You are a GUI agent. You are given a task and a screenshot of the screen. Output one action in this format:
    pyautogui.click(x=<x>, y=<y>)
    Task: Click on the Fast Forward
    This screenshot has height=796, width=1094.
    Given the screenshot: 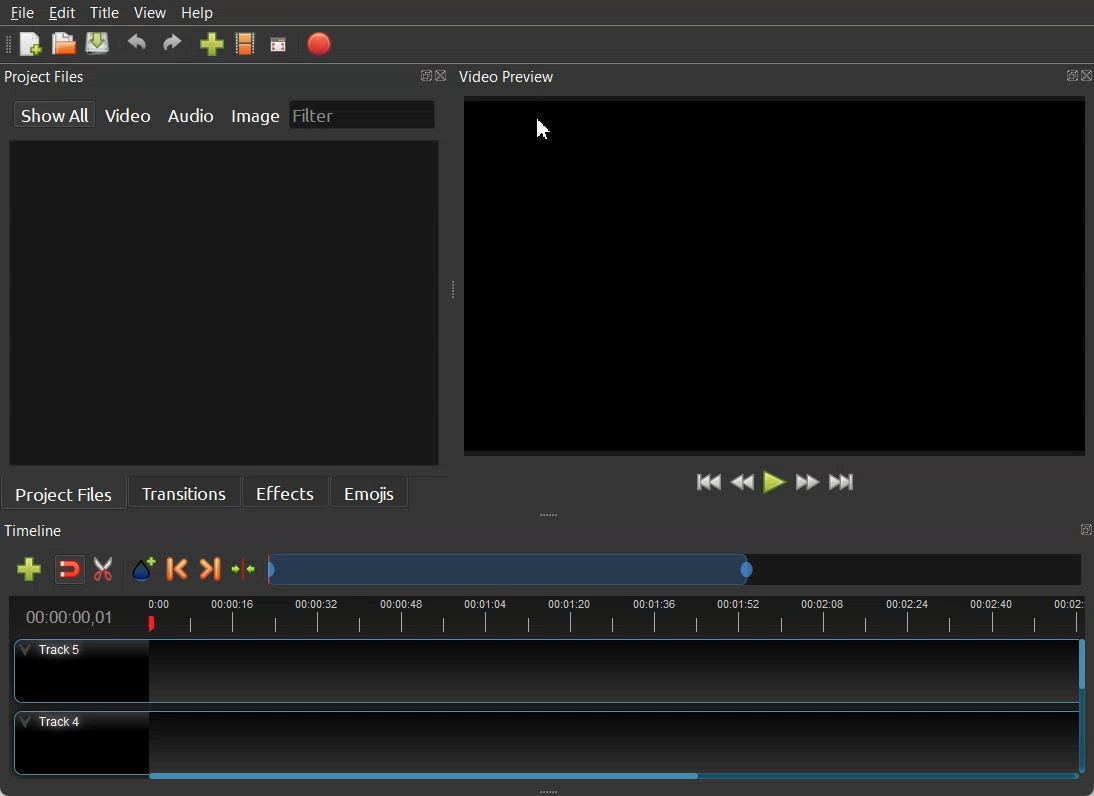 What is the action you would take?
    pyautogui.click(x=807, y=481)
    